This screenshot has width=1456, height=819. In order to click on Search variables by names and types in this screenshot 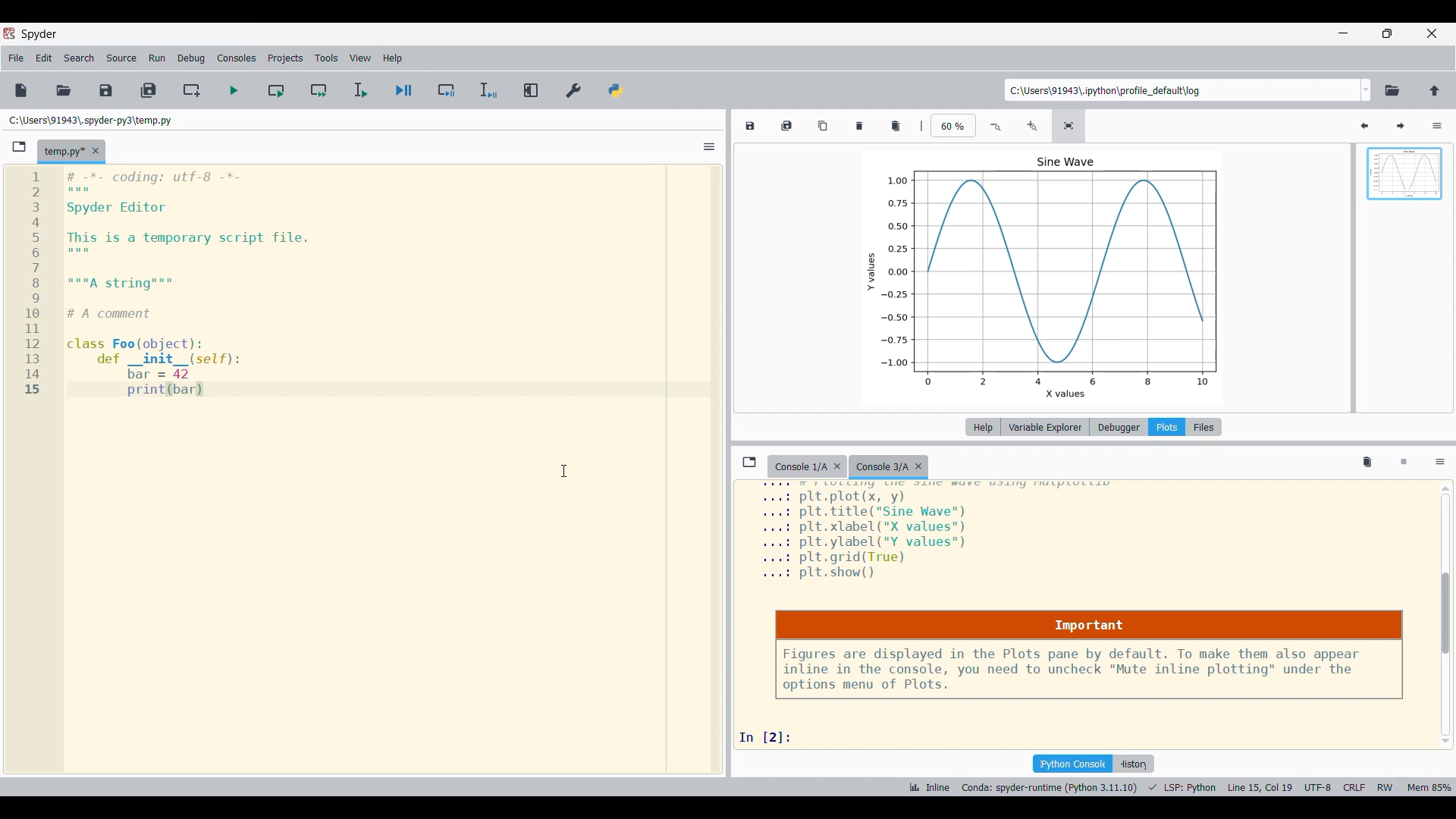, I will do `click(1329, 126)`.